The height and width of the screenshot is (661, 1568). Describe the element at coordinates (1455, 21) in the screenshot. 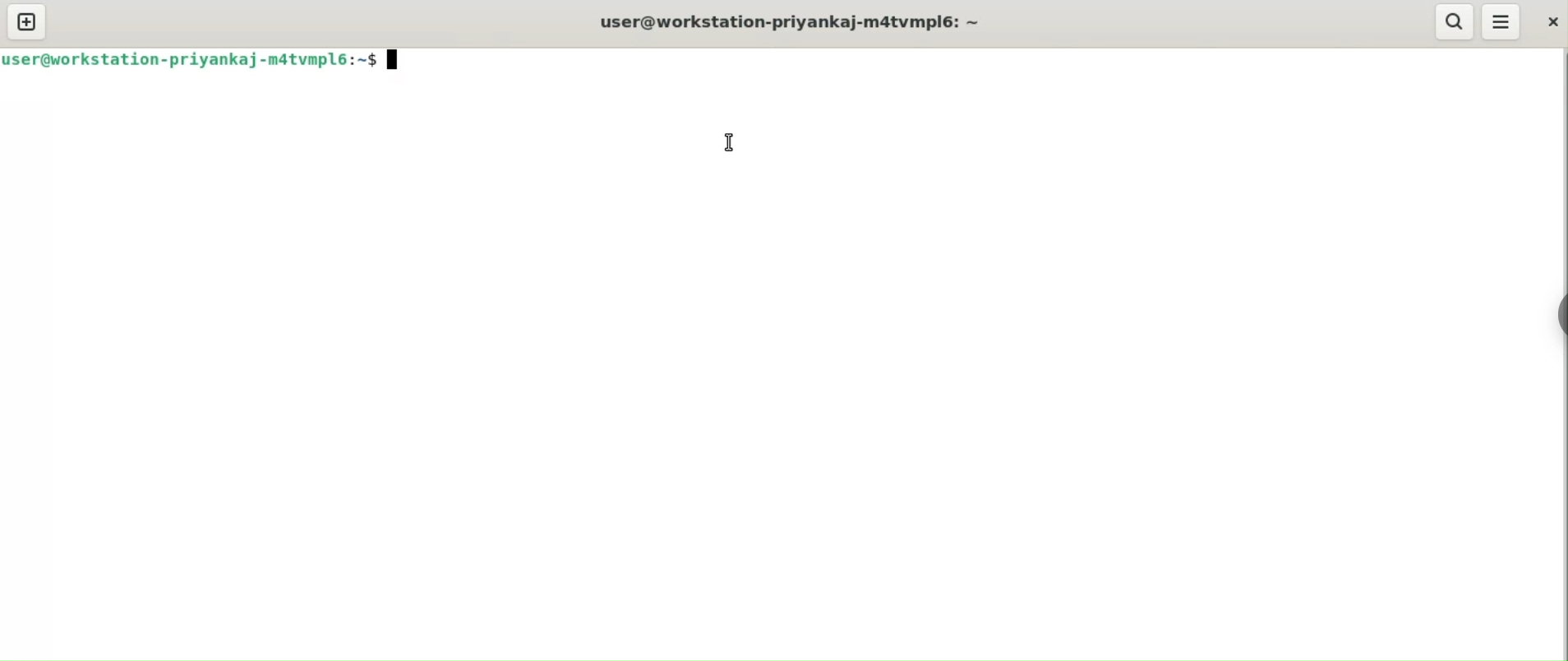

I see `search` at that location.